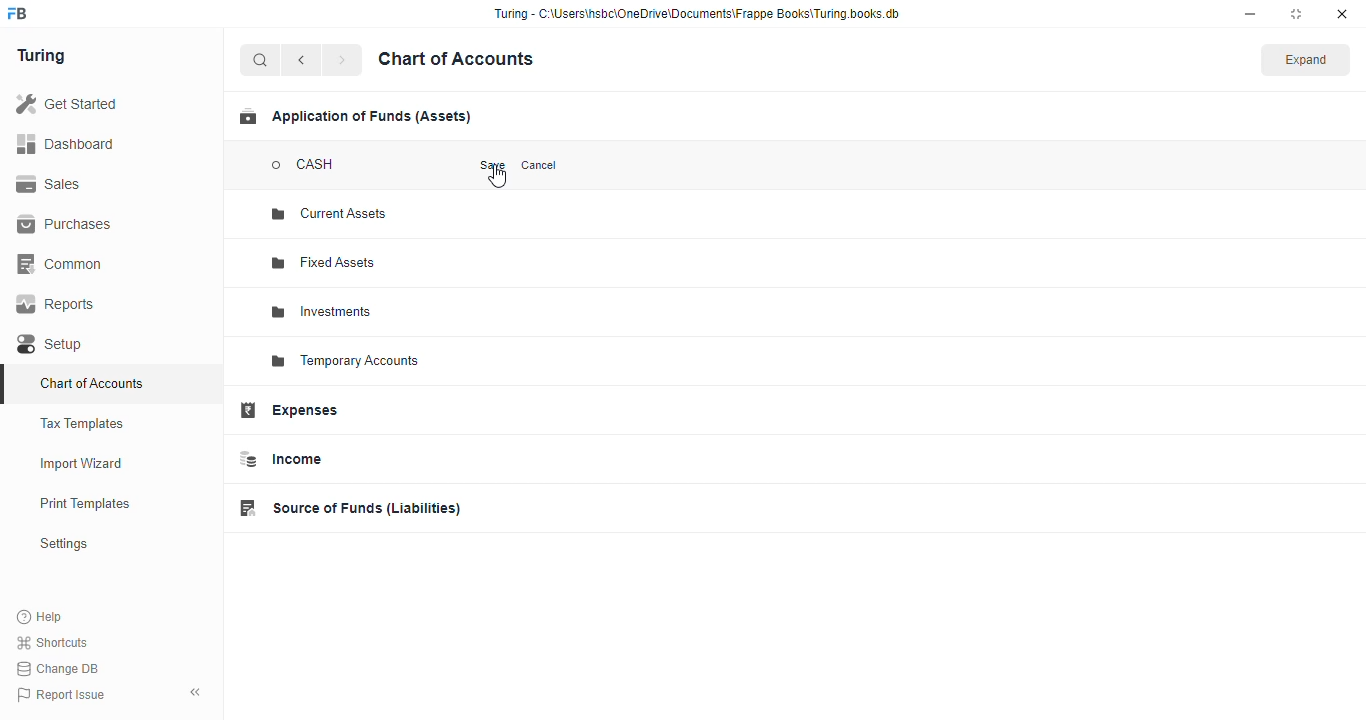 The width and height of the screenshot is (1366, 720). I want to click on sales, so click(49, 184).